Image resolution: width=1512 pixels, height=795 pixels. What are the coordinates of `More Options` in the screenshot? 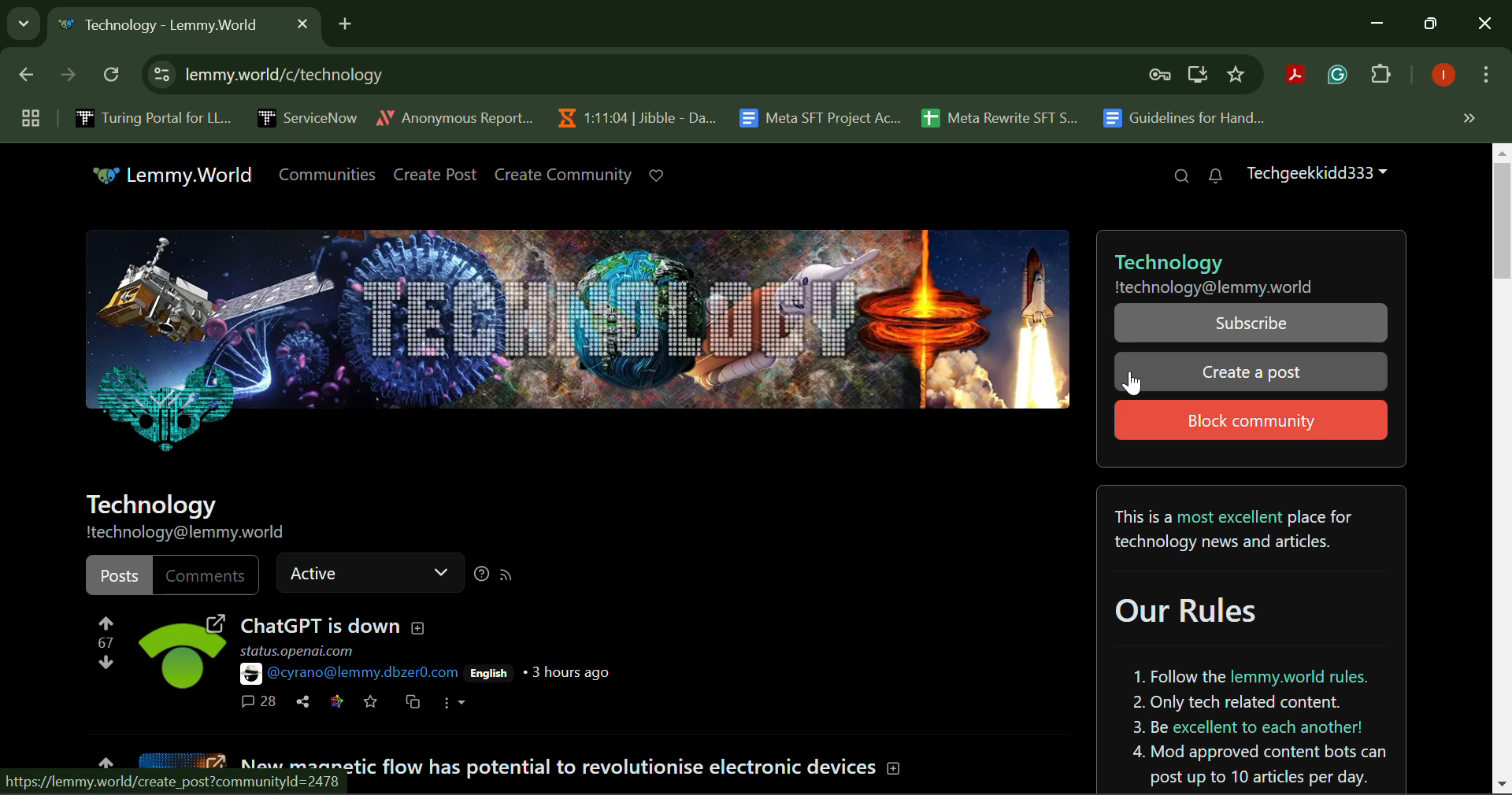 It's located at (454, 702).